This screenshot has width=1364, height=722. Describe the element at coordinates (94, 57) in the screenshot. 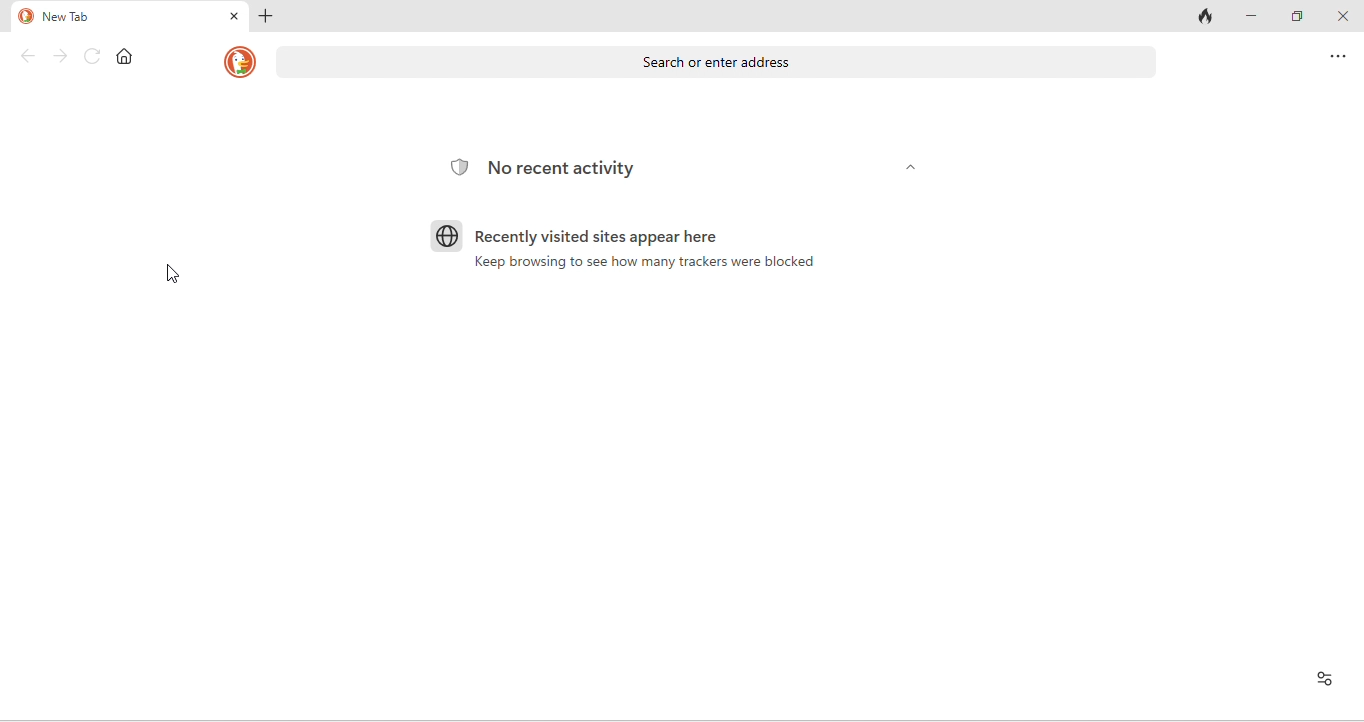

I see `refresh` at that location.